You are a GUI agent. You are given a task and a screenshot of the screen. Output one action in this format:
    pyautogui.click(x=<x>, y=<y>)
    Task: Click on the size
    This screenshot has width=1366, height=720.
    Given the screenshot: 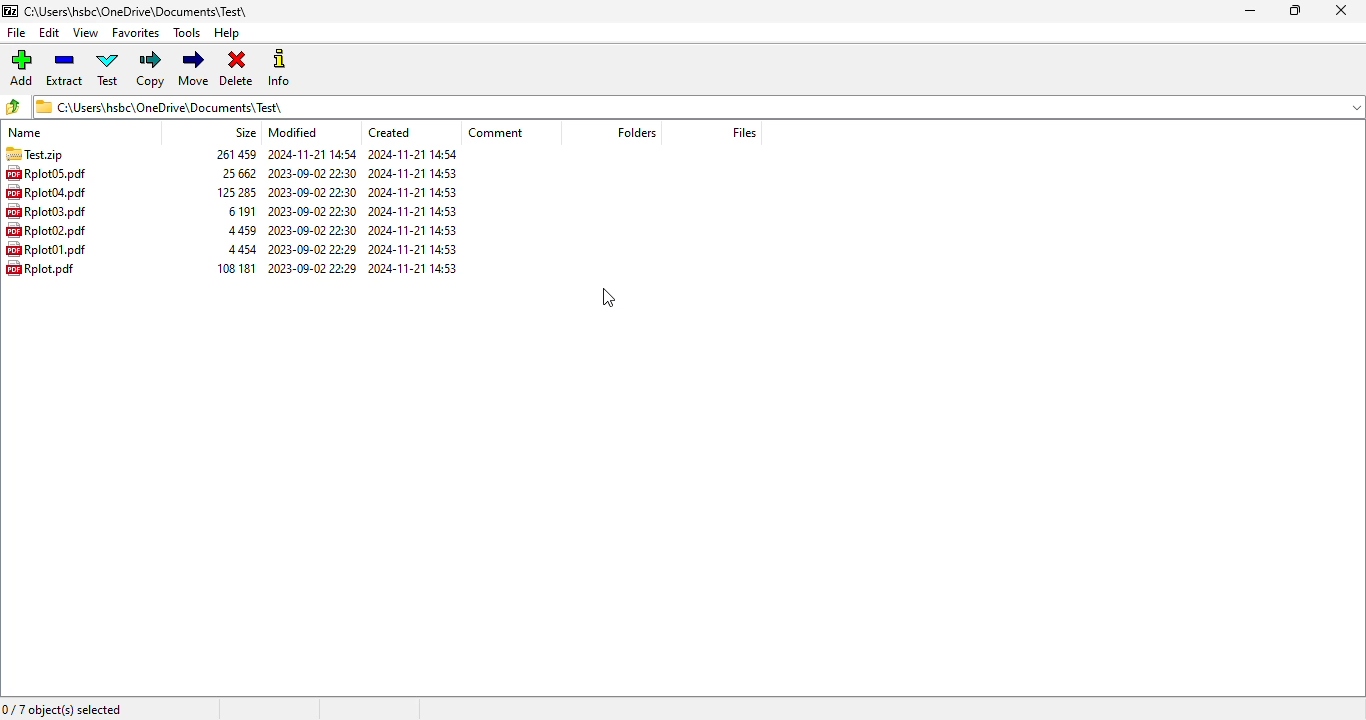 What is the action you would take?
    pyautogui.click(x=246, y=132)
    